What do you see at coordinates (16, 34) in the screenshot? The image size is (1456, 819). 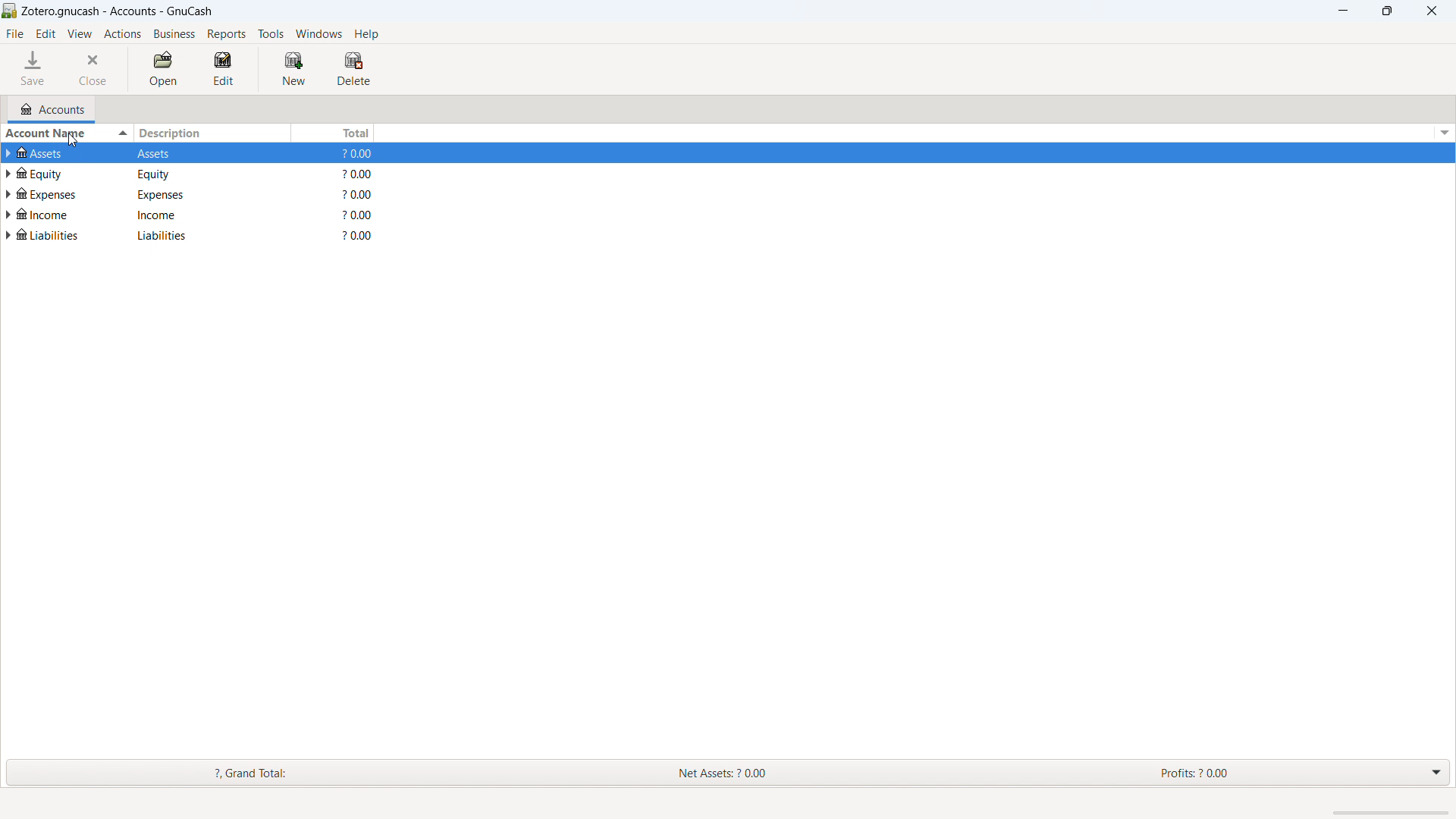 I see `file` at bounding box center [16, 34].